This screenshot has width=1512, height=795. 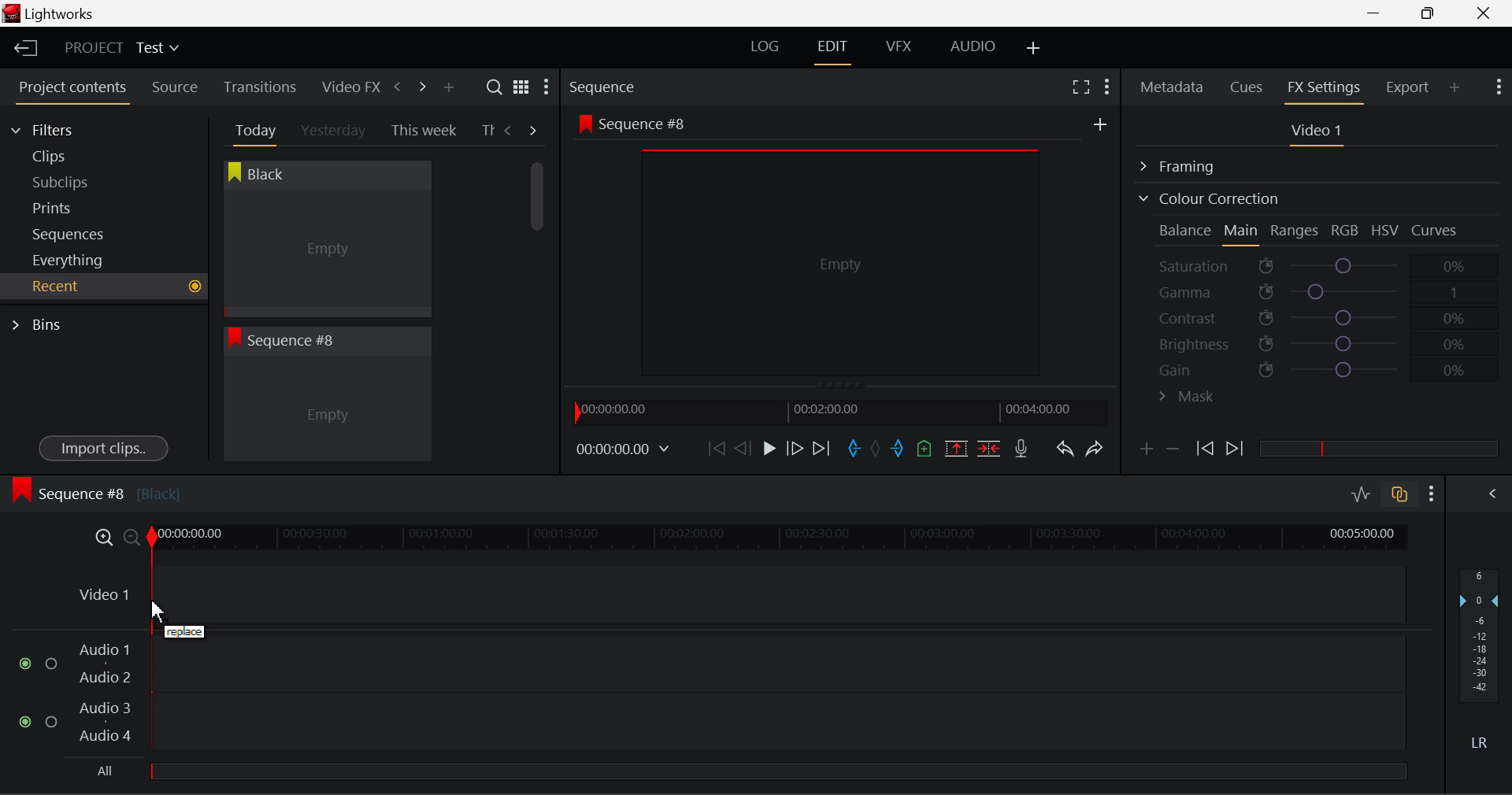 What do you see at coordinates (538, 299) in the screenshot?
I see `Scroll Bar` at bounding box center [538, 299].